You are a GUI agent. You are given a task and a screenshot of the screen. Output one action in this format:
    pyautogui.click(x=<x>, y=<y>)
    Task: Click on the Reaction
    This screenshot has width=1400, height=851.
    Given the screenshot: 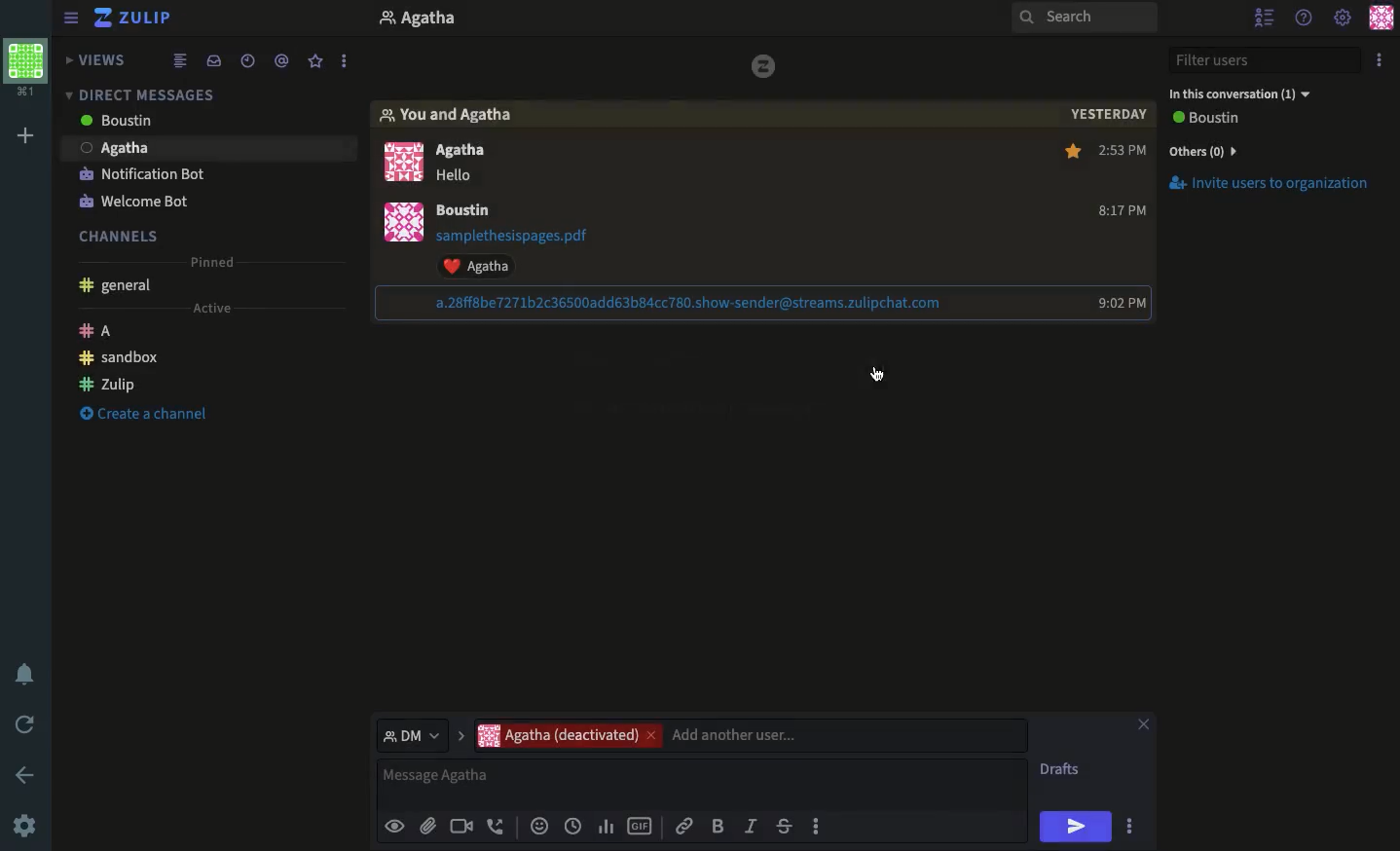 What is the action you would take?
    pyautogui.click(x=537, y=828)
    